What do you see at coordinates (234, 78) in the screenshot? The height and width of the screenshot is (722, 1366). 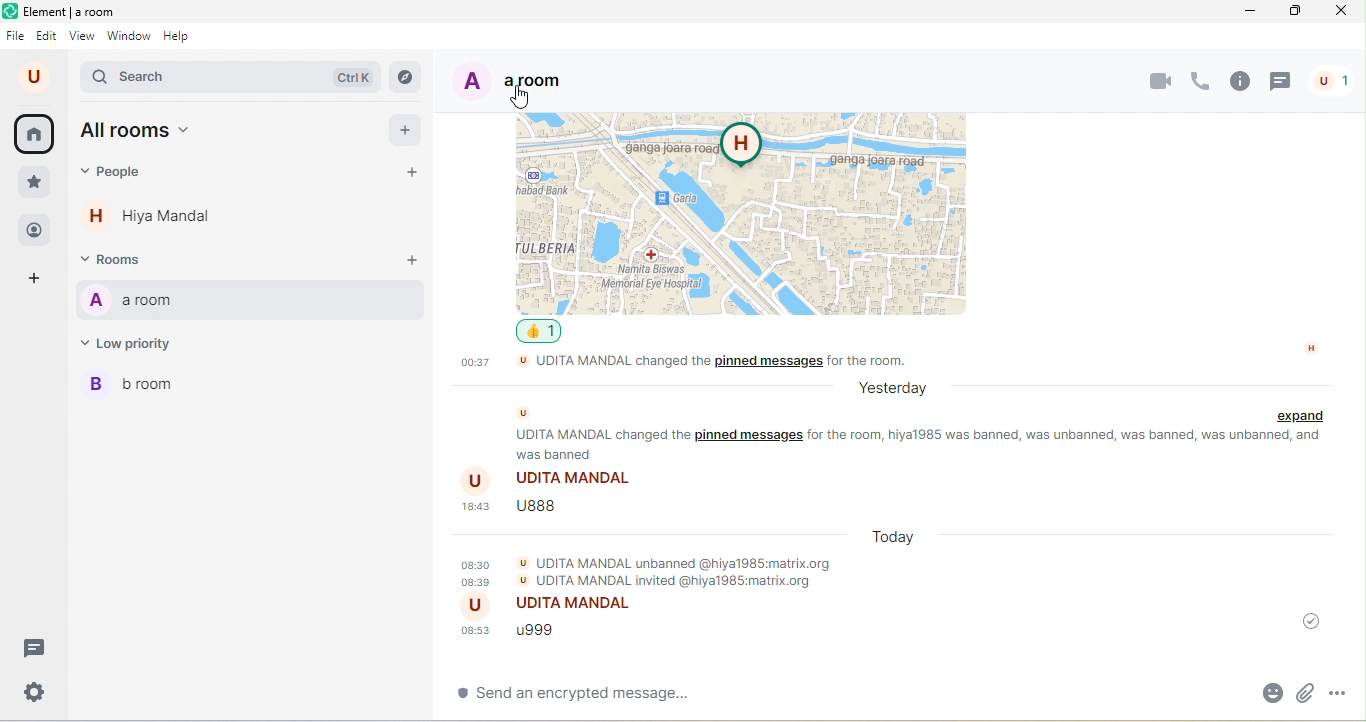 I see `search` at bounding box center [234, 78].